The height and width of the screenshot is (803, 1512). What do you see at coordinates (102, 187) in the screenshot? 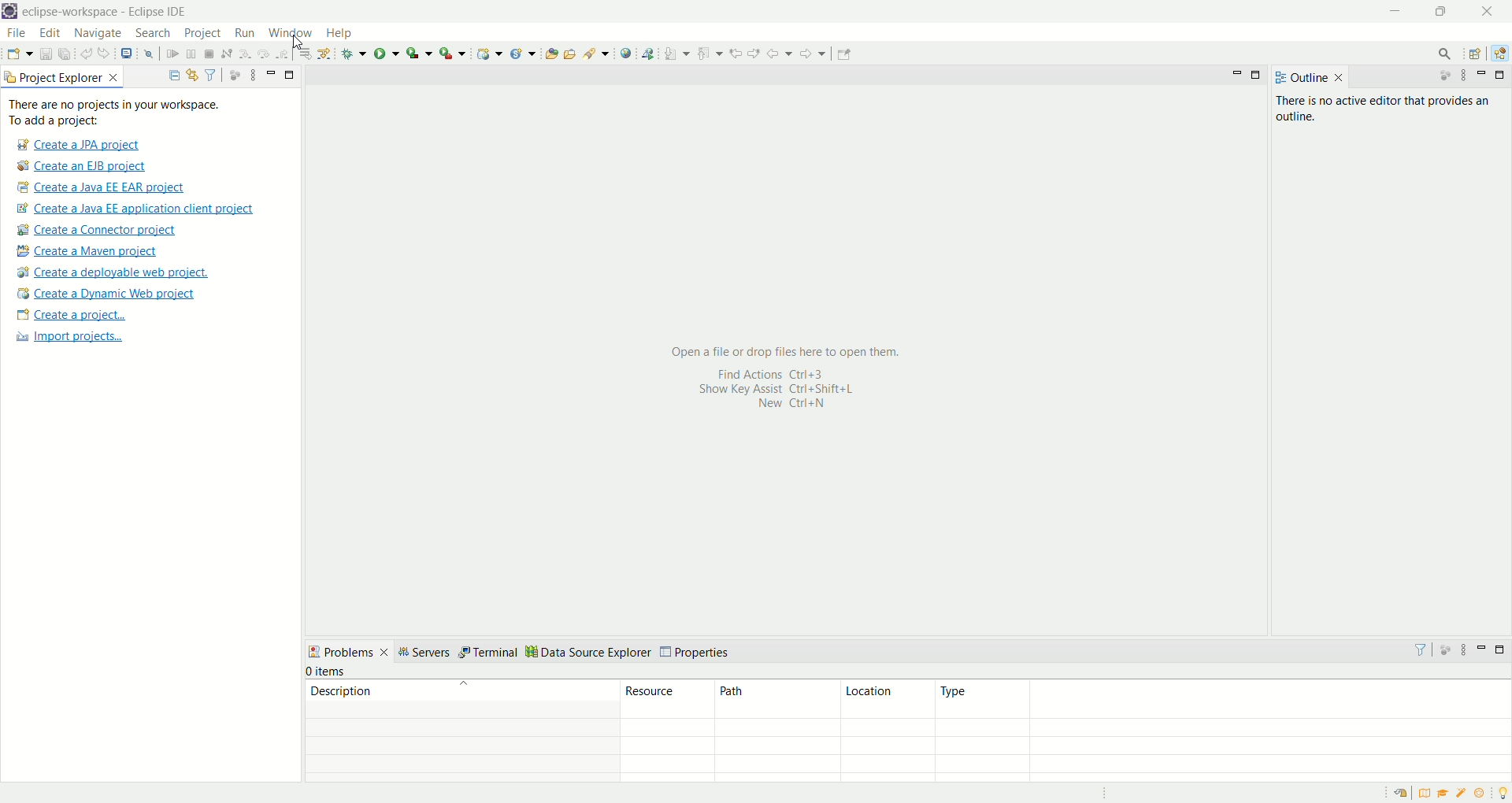
I see `create a Java EE EAR project` at bounding box center [102, 187].